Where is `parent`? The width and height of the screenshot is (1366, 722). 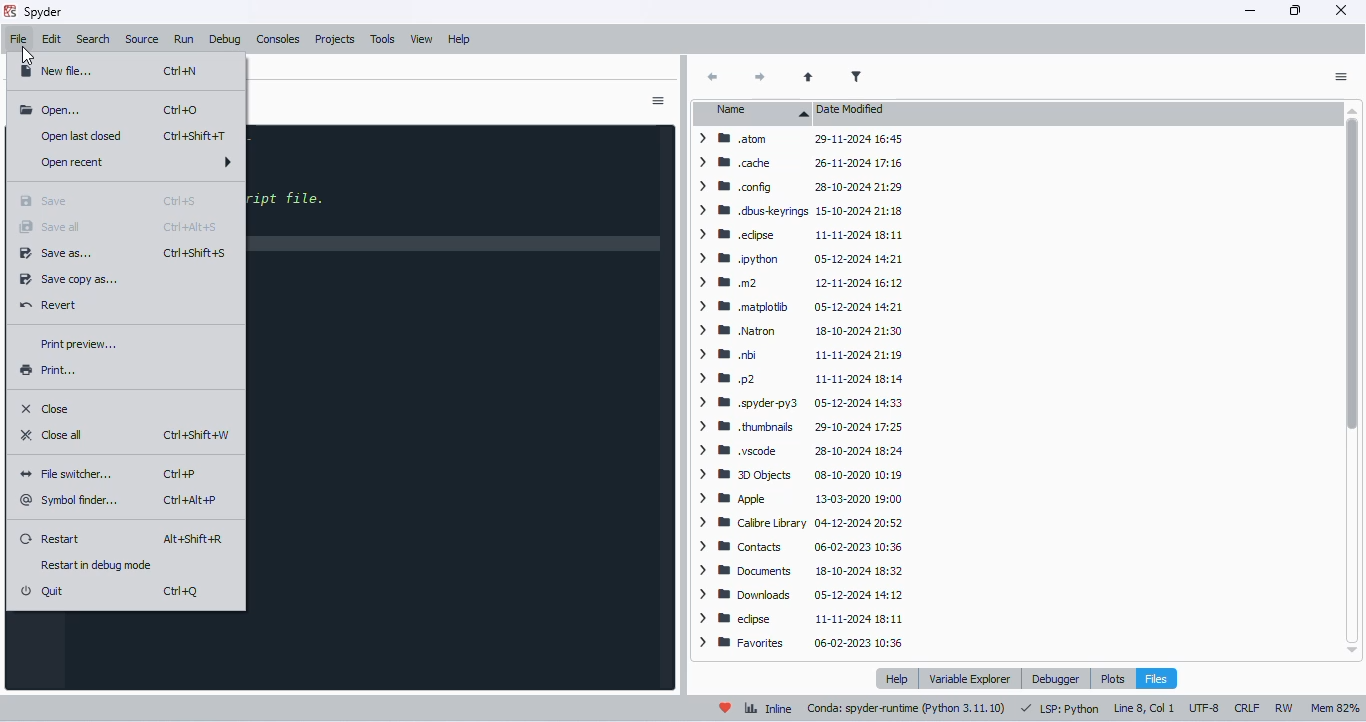 parent is located at coordinates (806, 77).